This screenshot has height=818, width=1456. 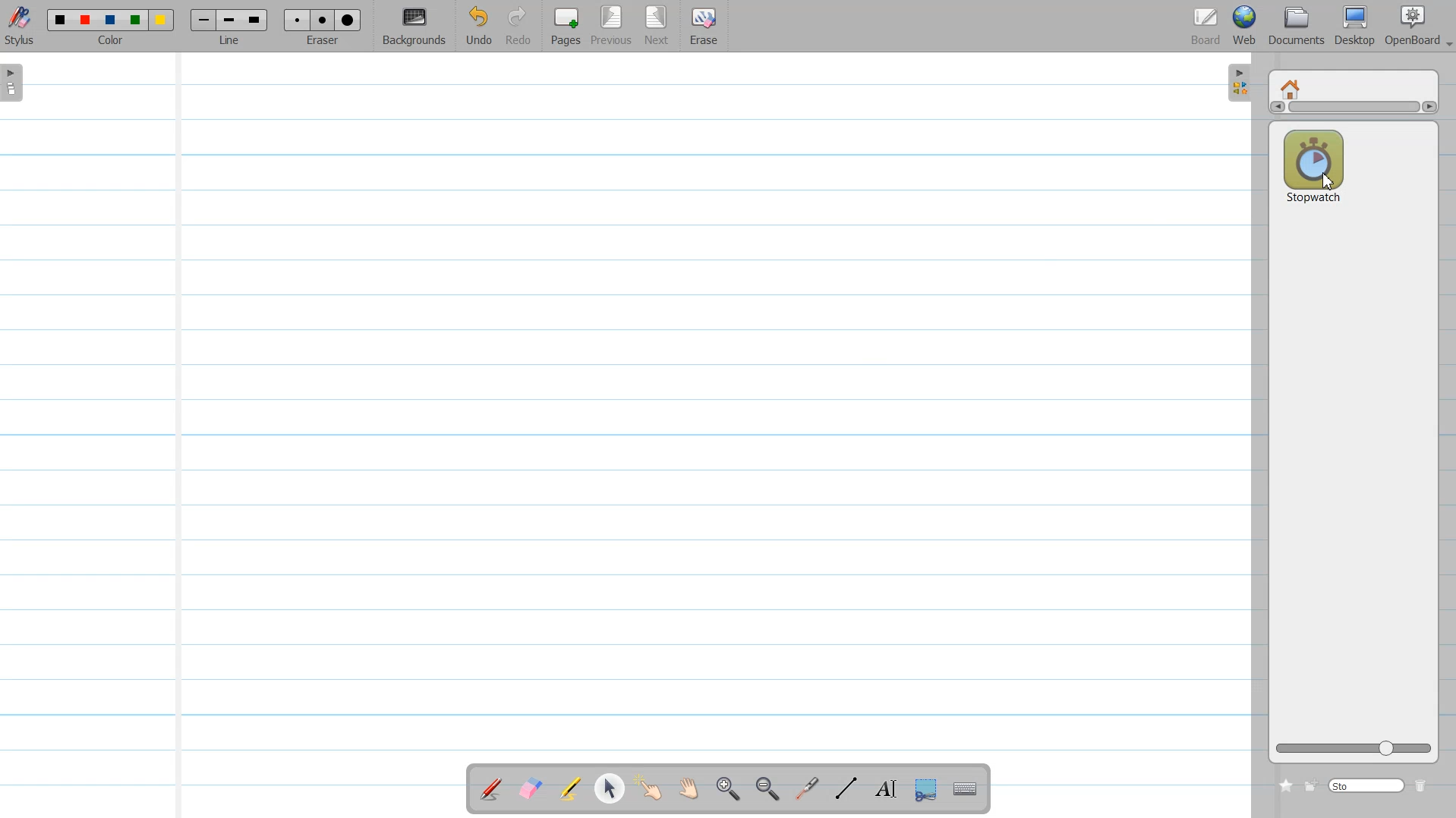 What do you see at coordinates (323, 27) in the screenshot?
I see `Eraser` at bounding box center [323, 27].